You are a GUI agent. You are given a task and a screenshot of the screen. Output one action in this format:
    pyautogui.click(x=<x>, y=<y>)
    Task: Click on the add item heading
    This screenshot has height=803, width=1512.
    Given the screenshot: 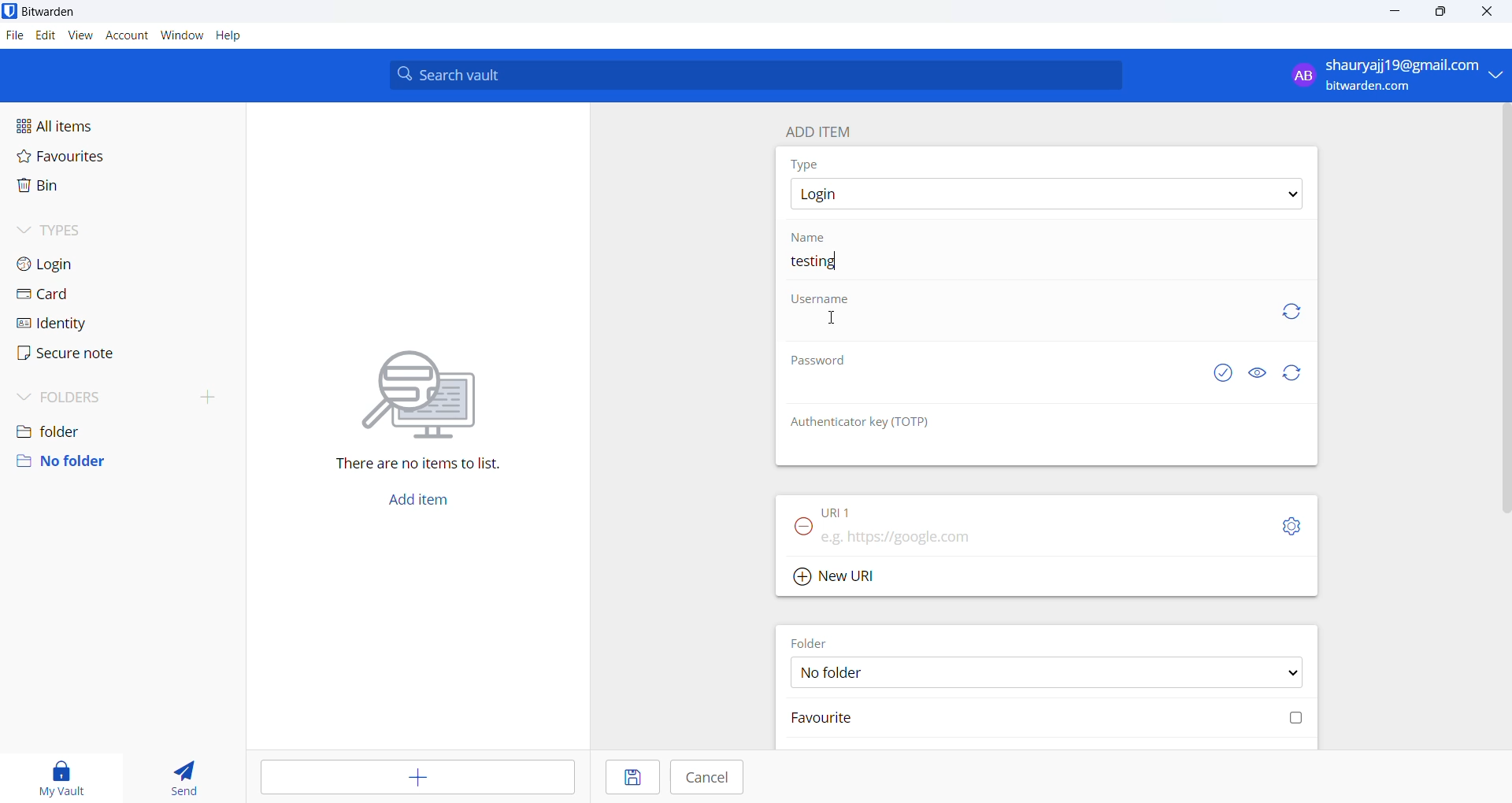 What is the action you would take?
    pyautogui.click(x=819, y=128)
    